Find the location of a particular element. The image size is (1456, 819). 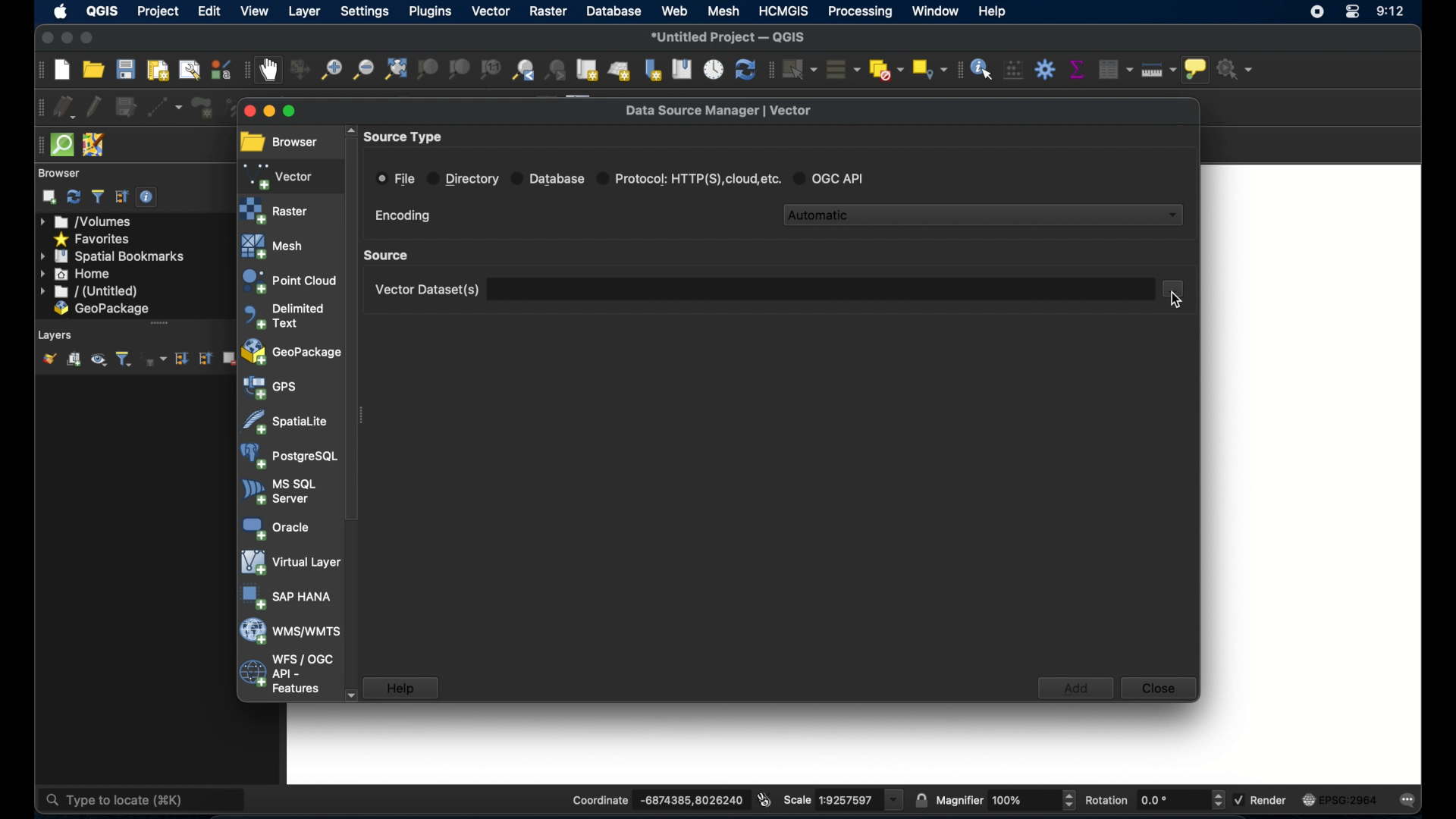

raster is located at coordinates (545, 12).